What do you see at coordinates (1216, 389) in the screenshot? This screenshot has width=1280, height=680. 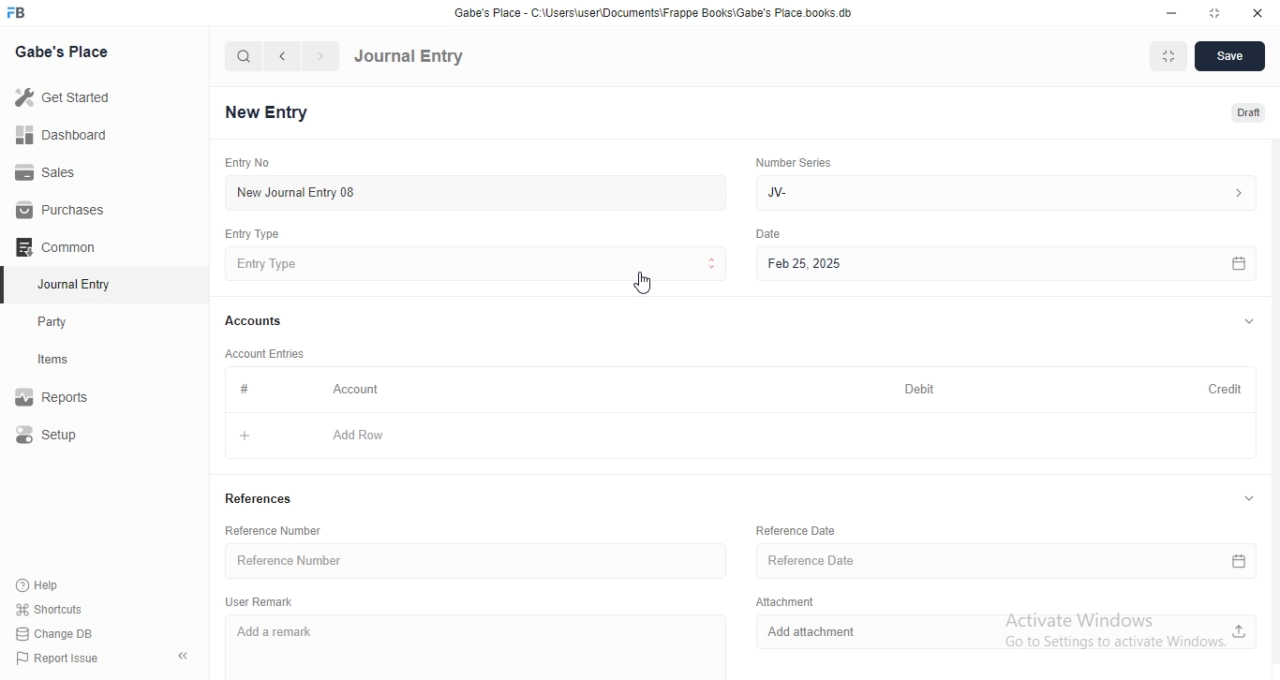 I see `Credit` at bounding box center [1216, 389].